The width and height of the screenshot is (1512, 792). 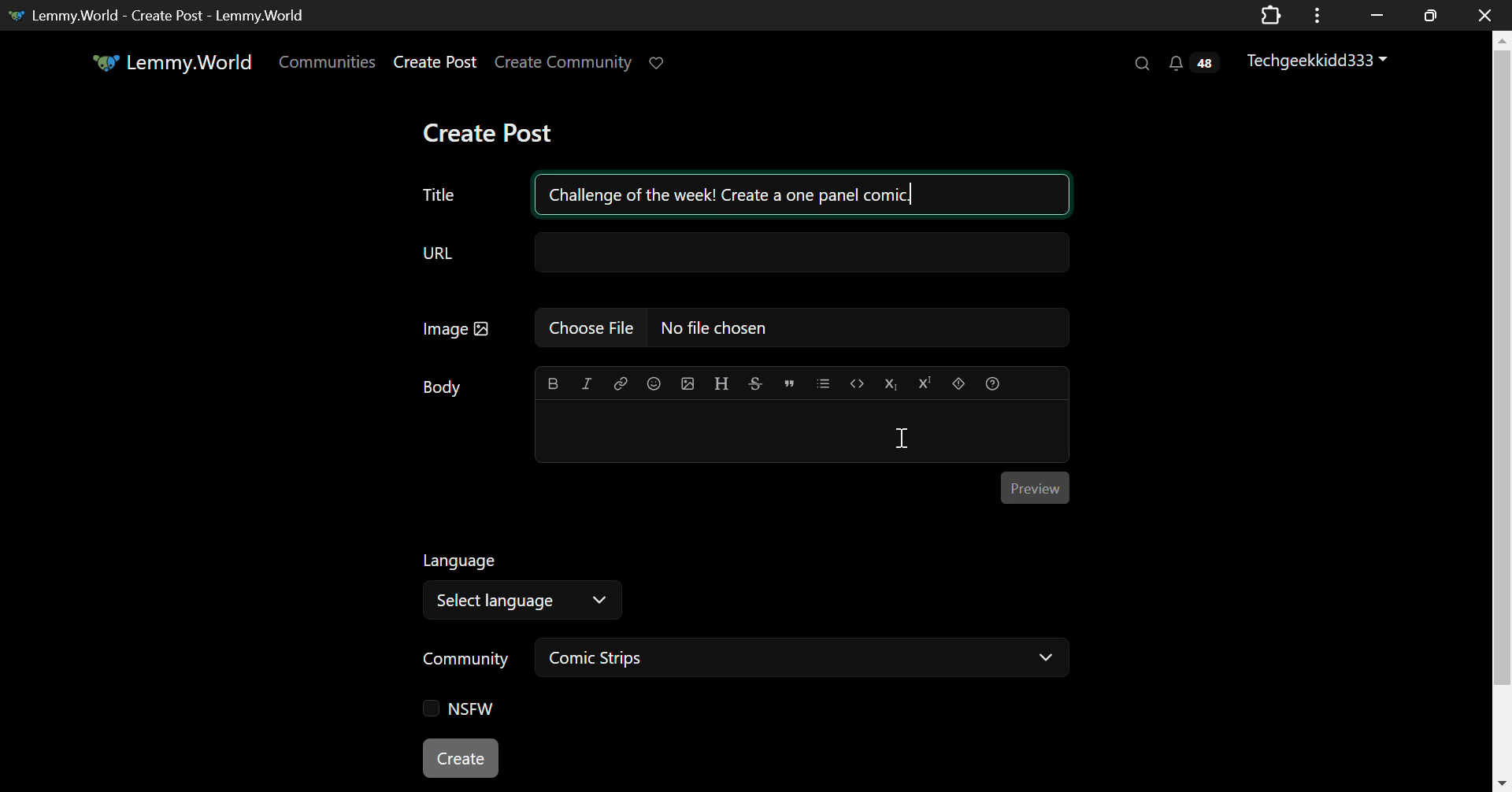 What do you see at coordinates (891, 383) in the screenshot?
I see `Subscript` at bounding box center [891, 383].